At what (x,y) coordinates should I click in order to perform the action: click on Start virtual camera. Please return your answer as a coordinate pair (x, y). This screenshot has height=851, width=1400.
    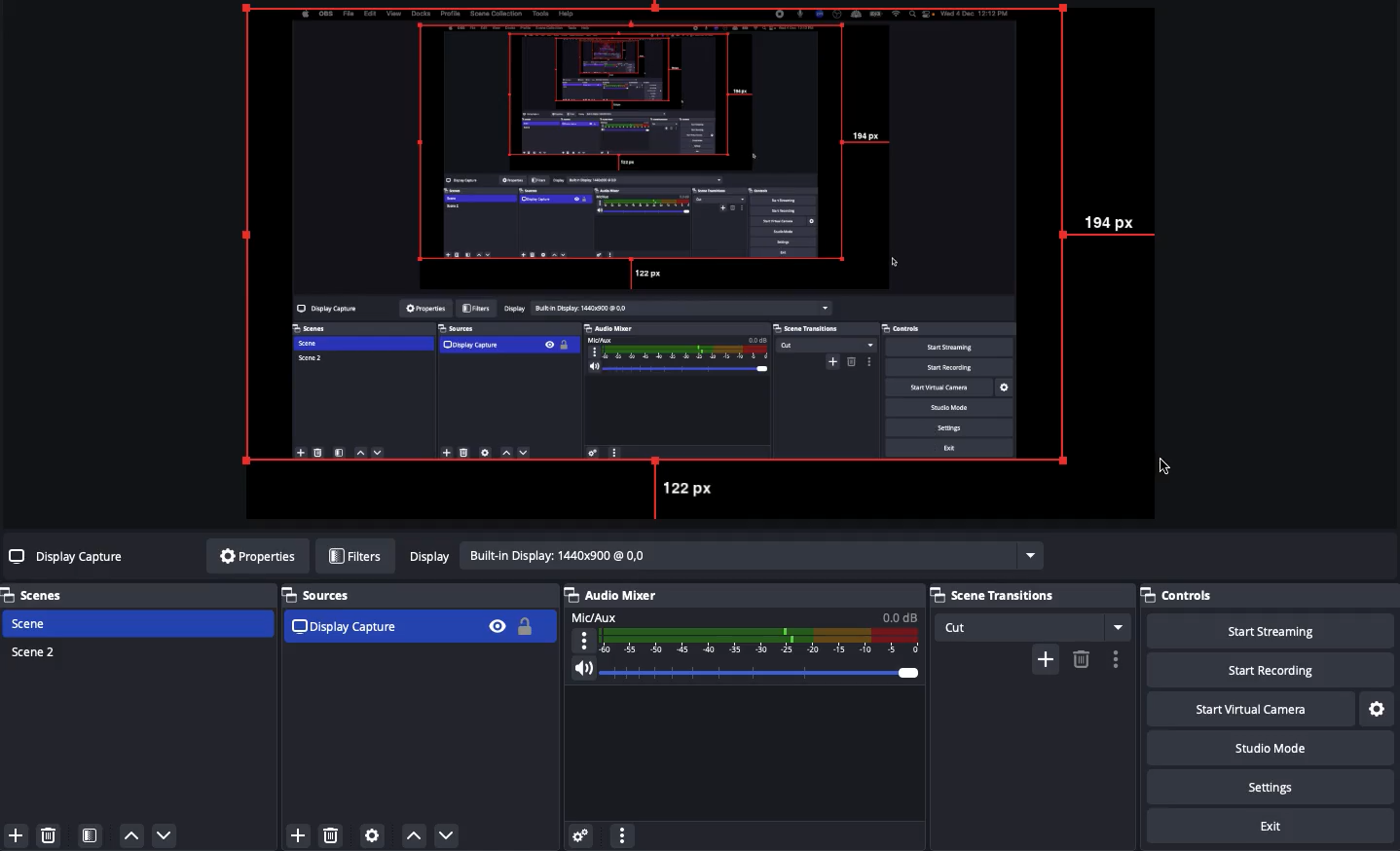
    Looking at the image, I should click on (1269, 708).